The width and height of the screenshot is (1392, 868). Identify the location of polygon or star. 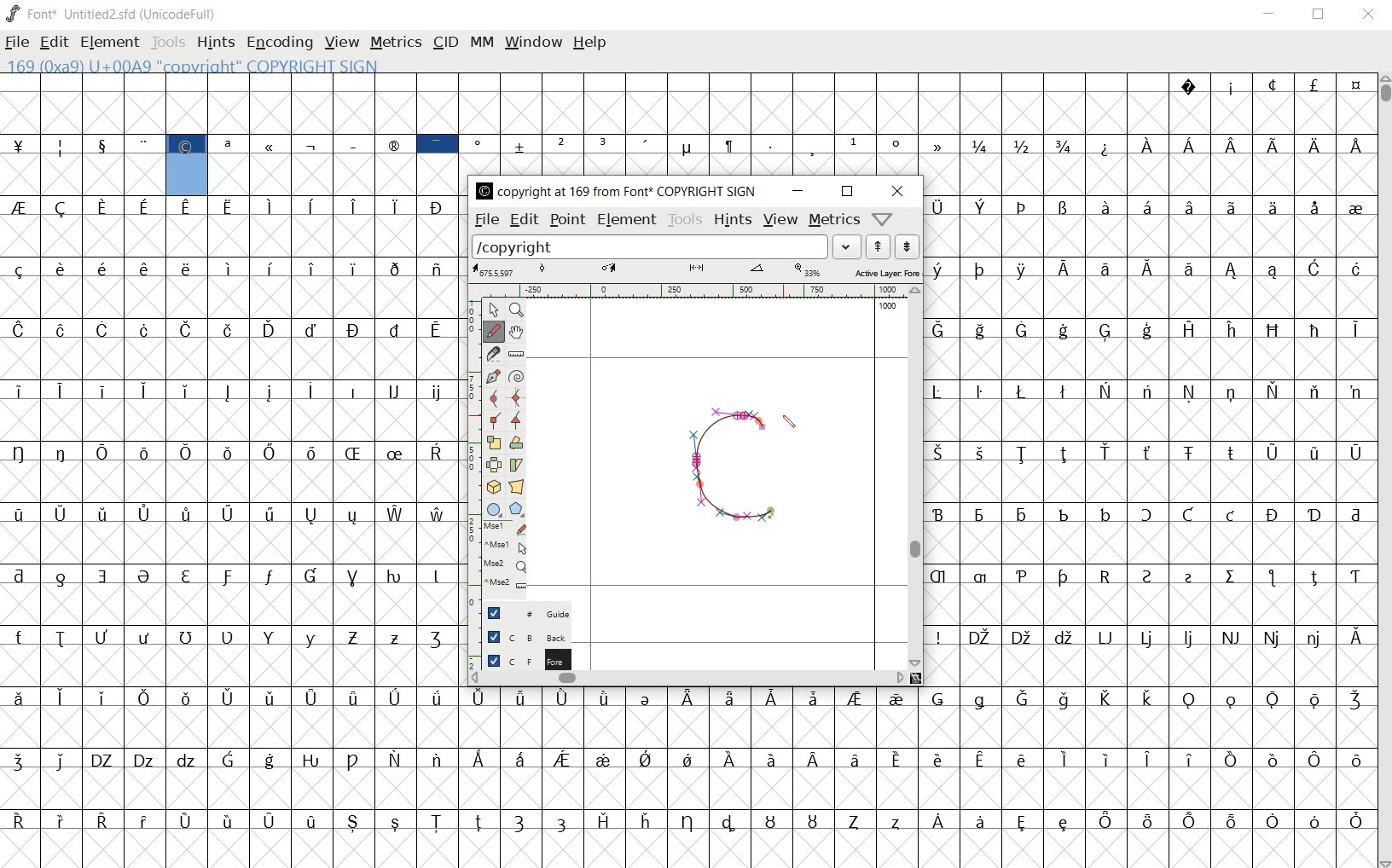
(516, 510).